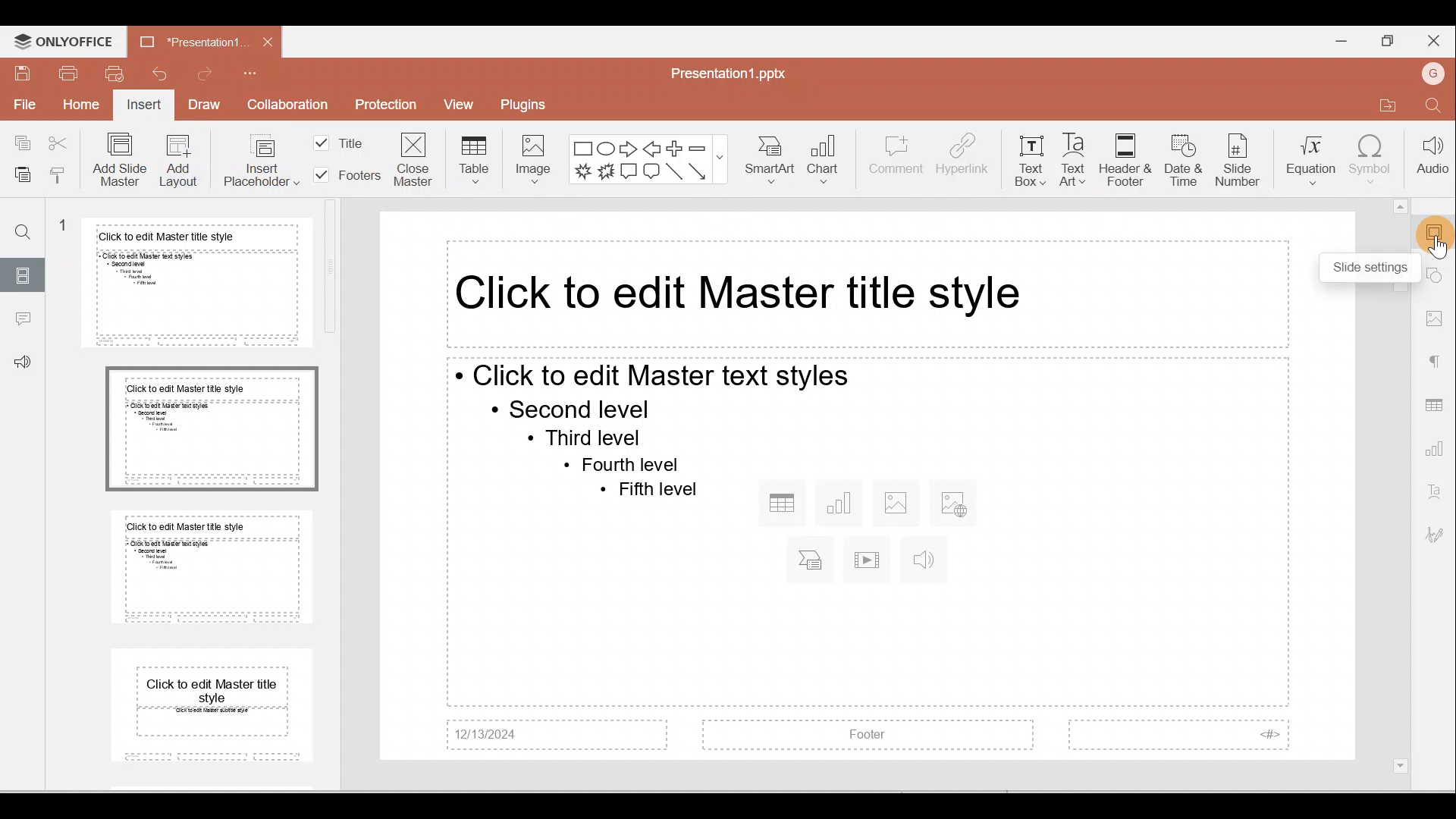 This screenshot has height=819, width=1456. What do you see at coordinates (1435, 404) in the screenshot?
I see `Table settings` at bounding box center [1435, 404].